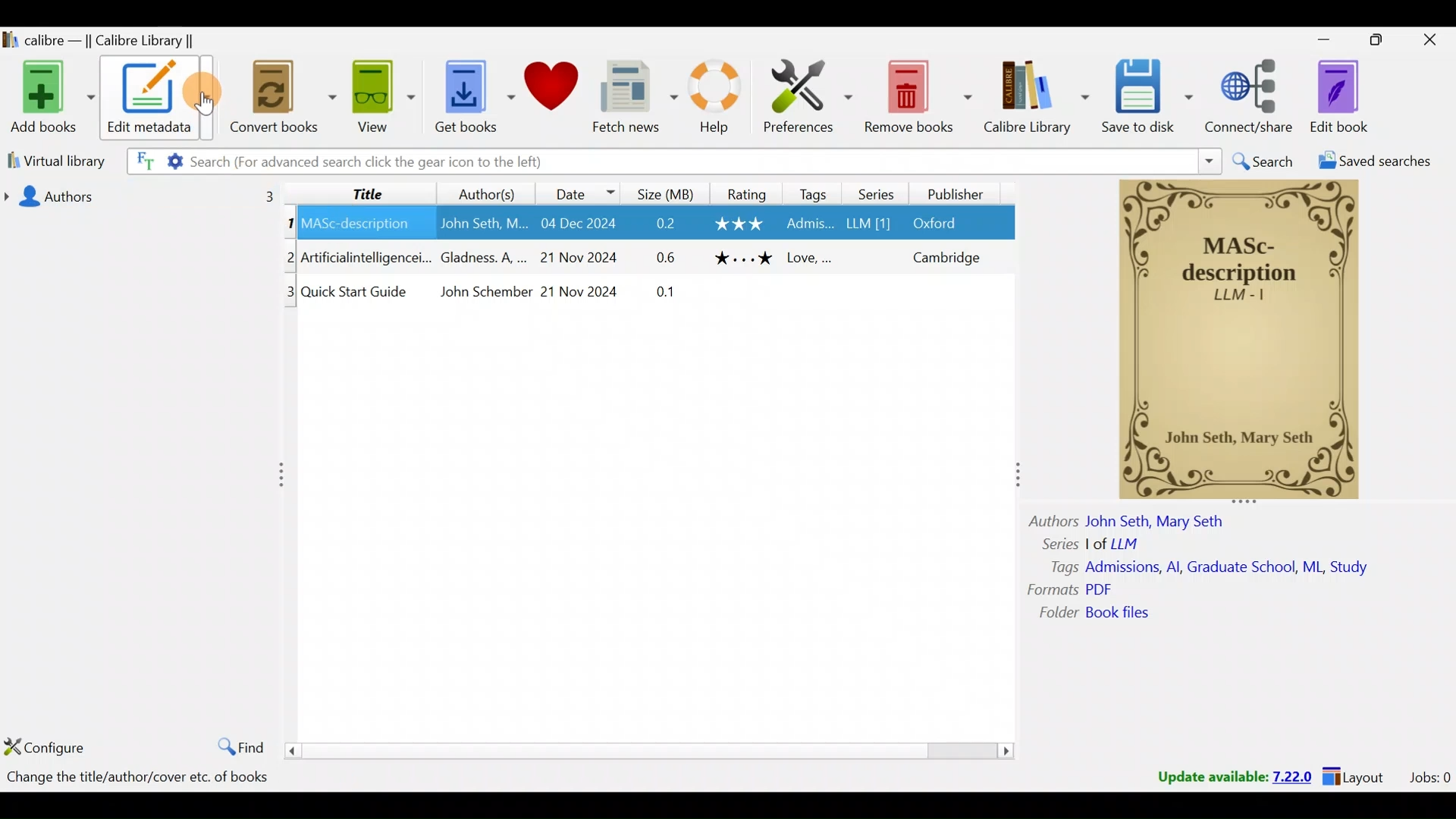 Image resolution: width=1456 pixels, height=819 pixels. What do you see at coordinates (1360, 780) in the screenshot?
I see `Layouts` at bounding box center [1360, 780].